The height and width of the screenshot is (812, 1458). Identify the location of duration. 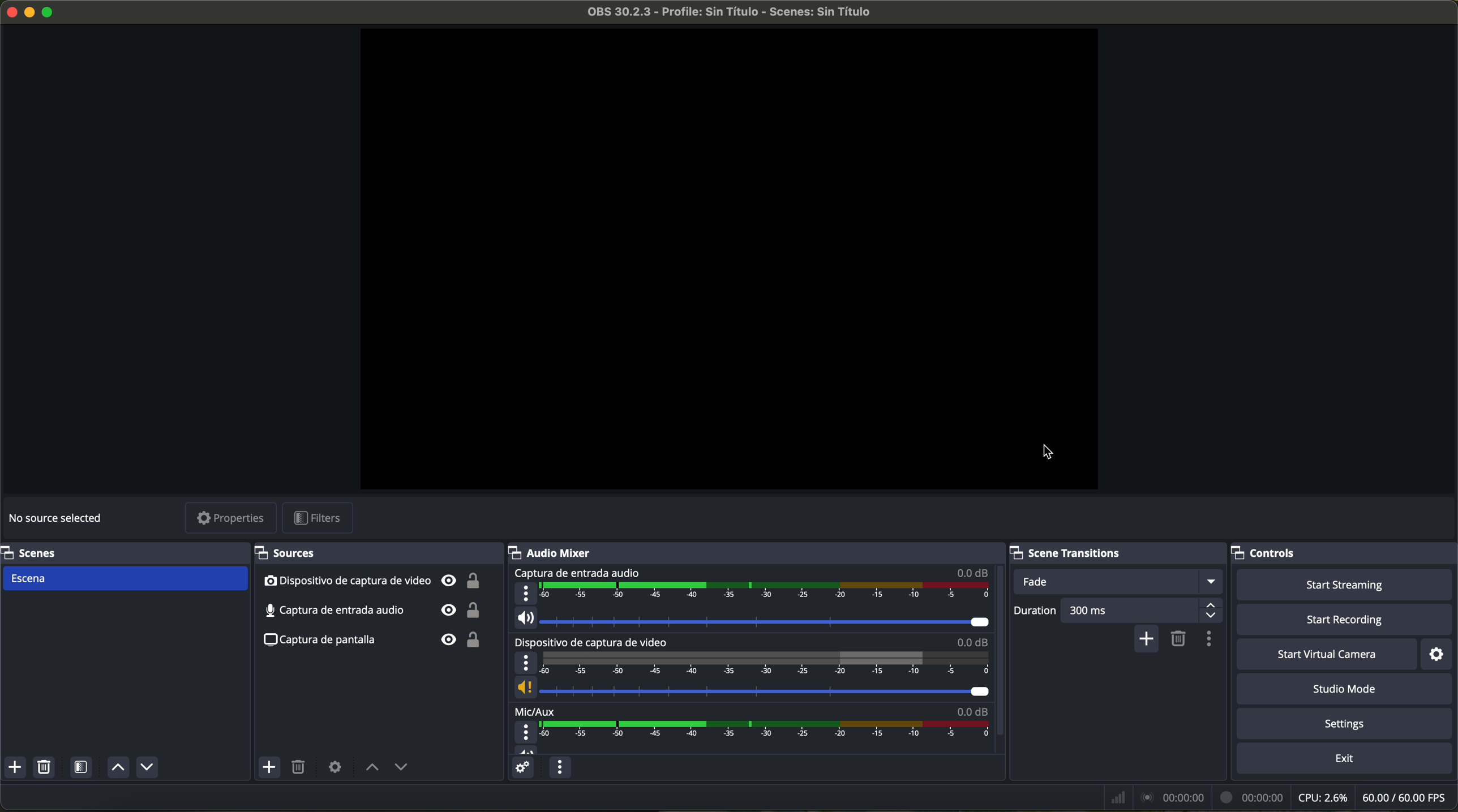
(1033, 611).